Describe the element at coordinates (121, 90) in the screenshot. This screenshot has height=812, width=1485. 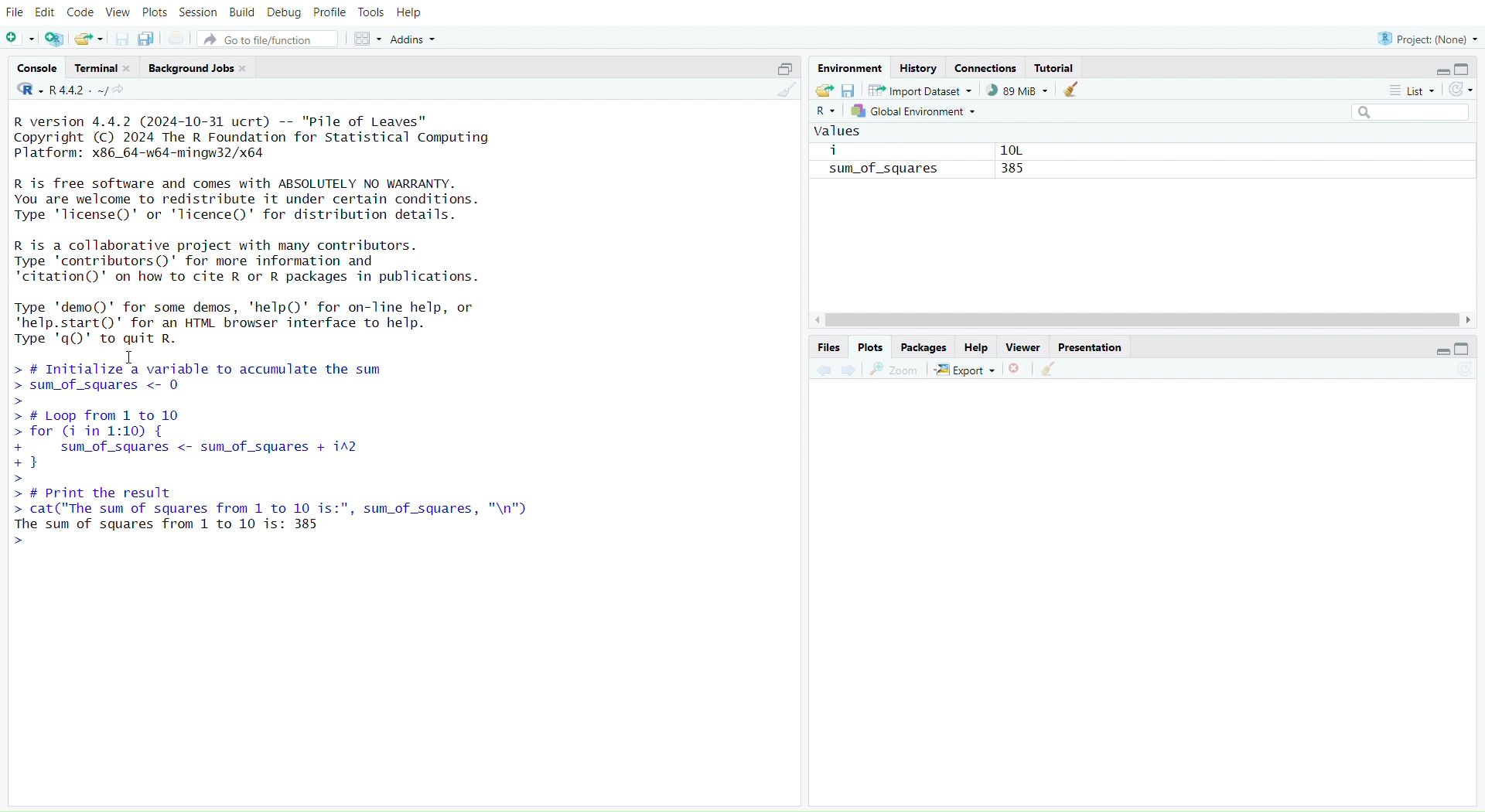
I see `view the current working directory` at that location.